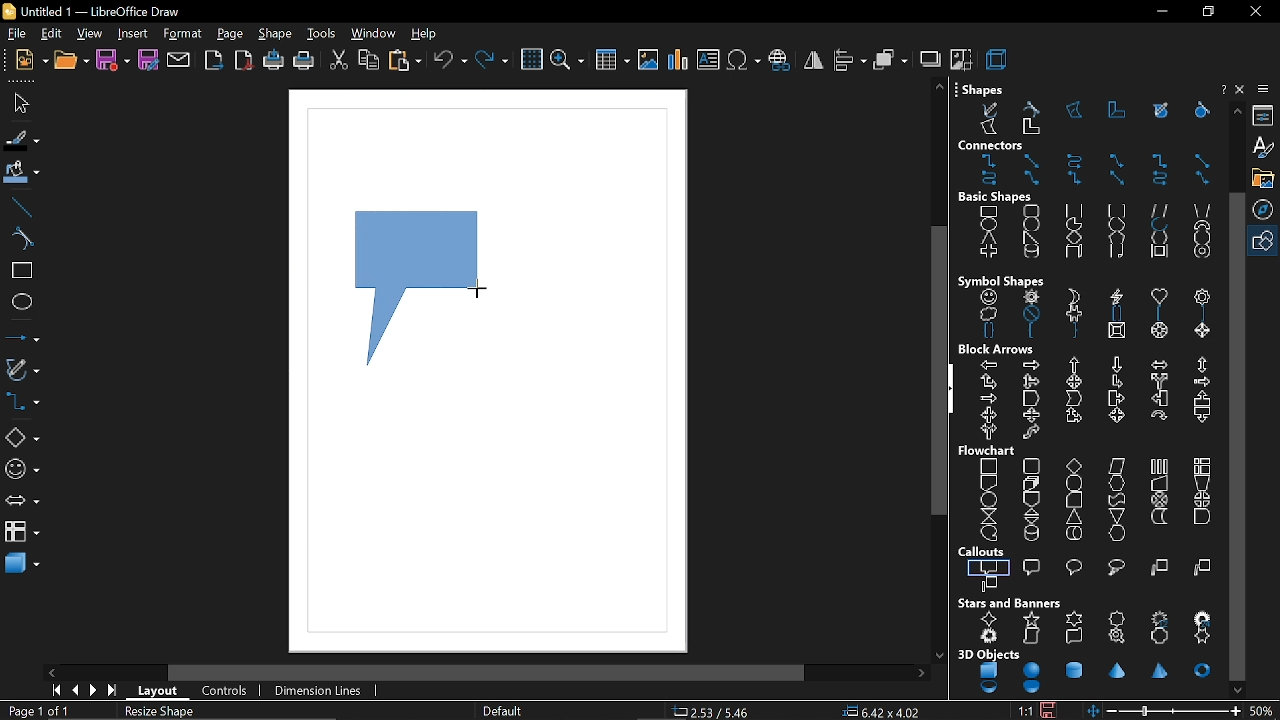 The width and height of the screenshot is (1280, 720). I want to click on hide, so click(951, 390).